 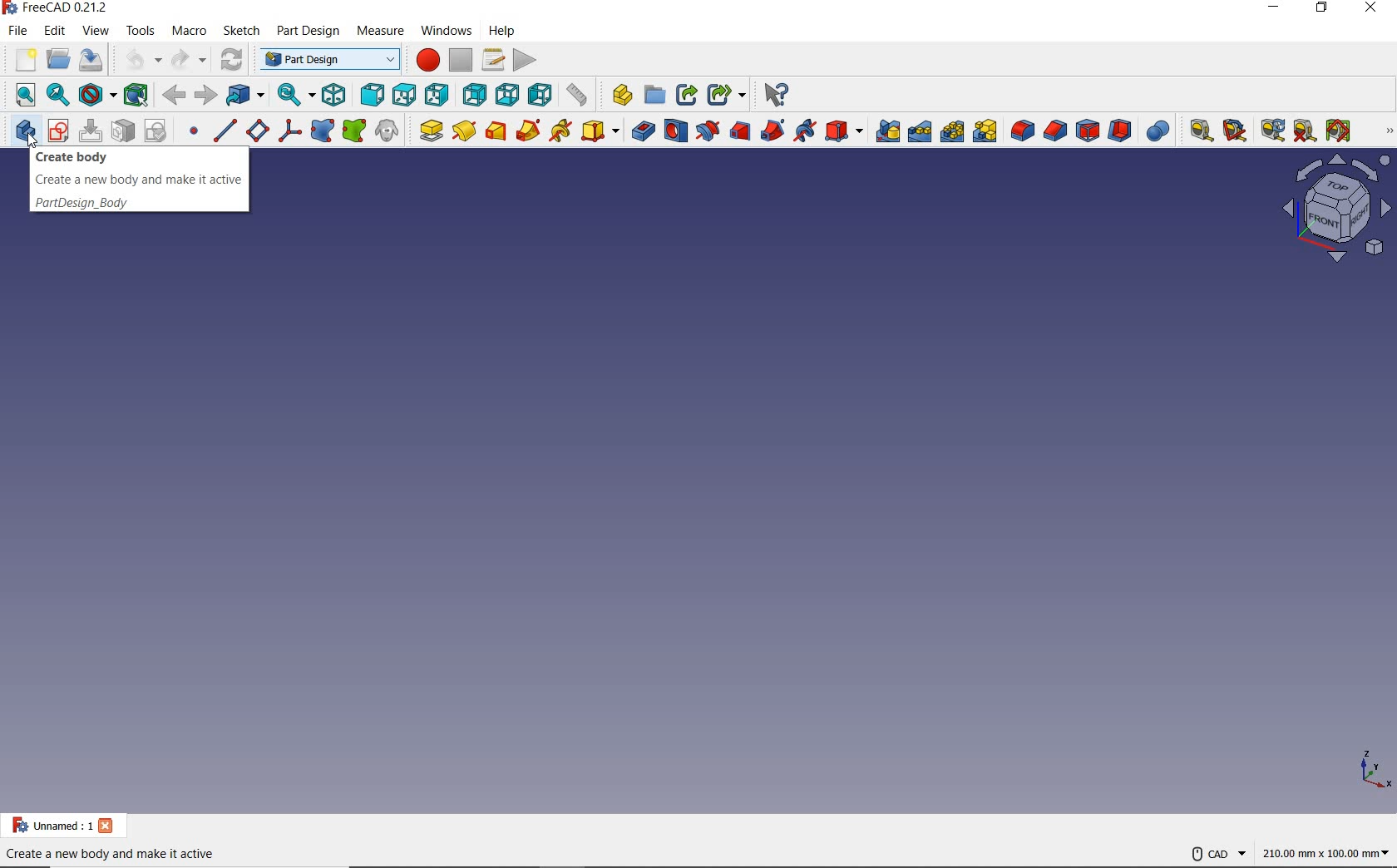 What do you see at coordinates (428, 62) in the screenshot?
I see `macros recording` at bounding box center [428, 62].